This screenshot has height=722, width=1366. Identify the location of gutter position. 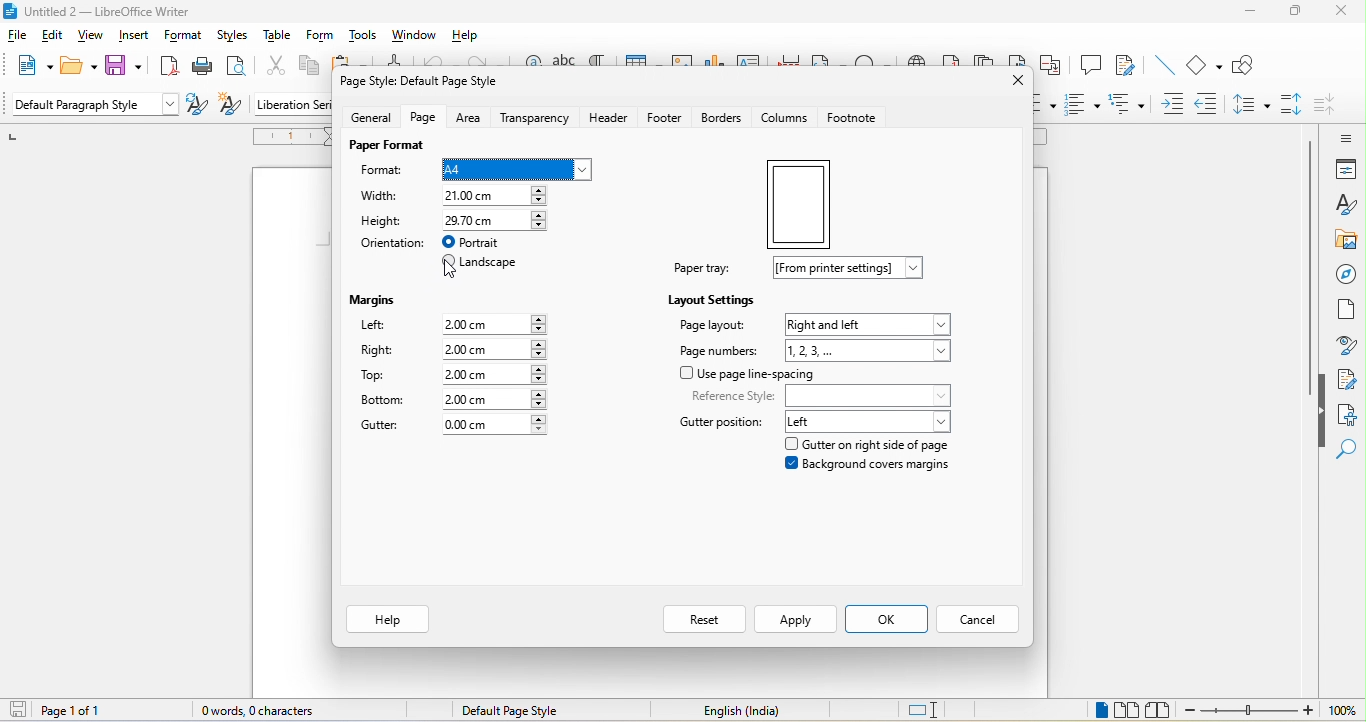
(721, 420).